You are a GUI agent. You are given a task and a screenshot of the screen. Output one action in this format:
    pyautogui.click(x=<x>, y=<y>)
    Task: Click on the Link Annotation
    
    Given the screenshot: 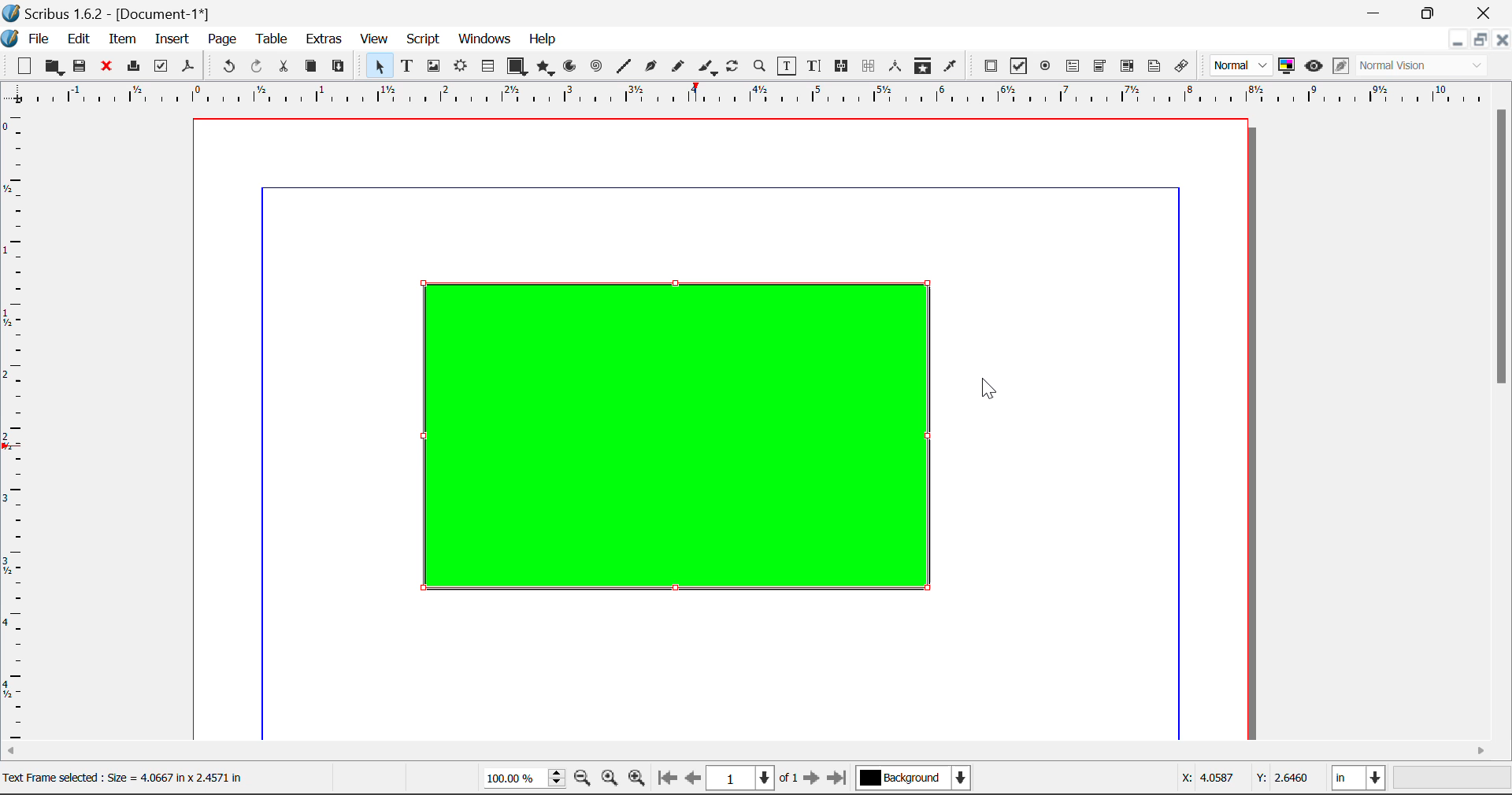 What is the action you would take?
    pyautogui.click(x=1180, y=66)
    